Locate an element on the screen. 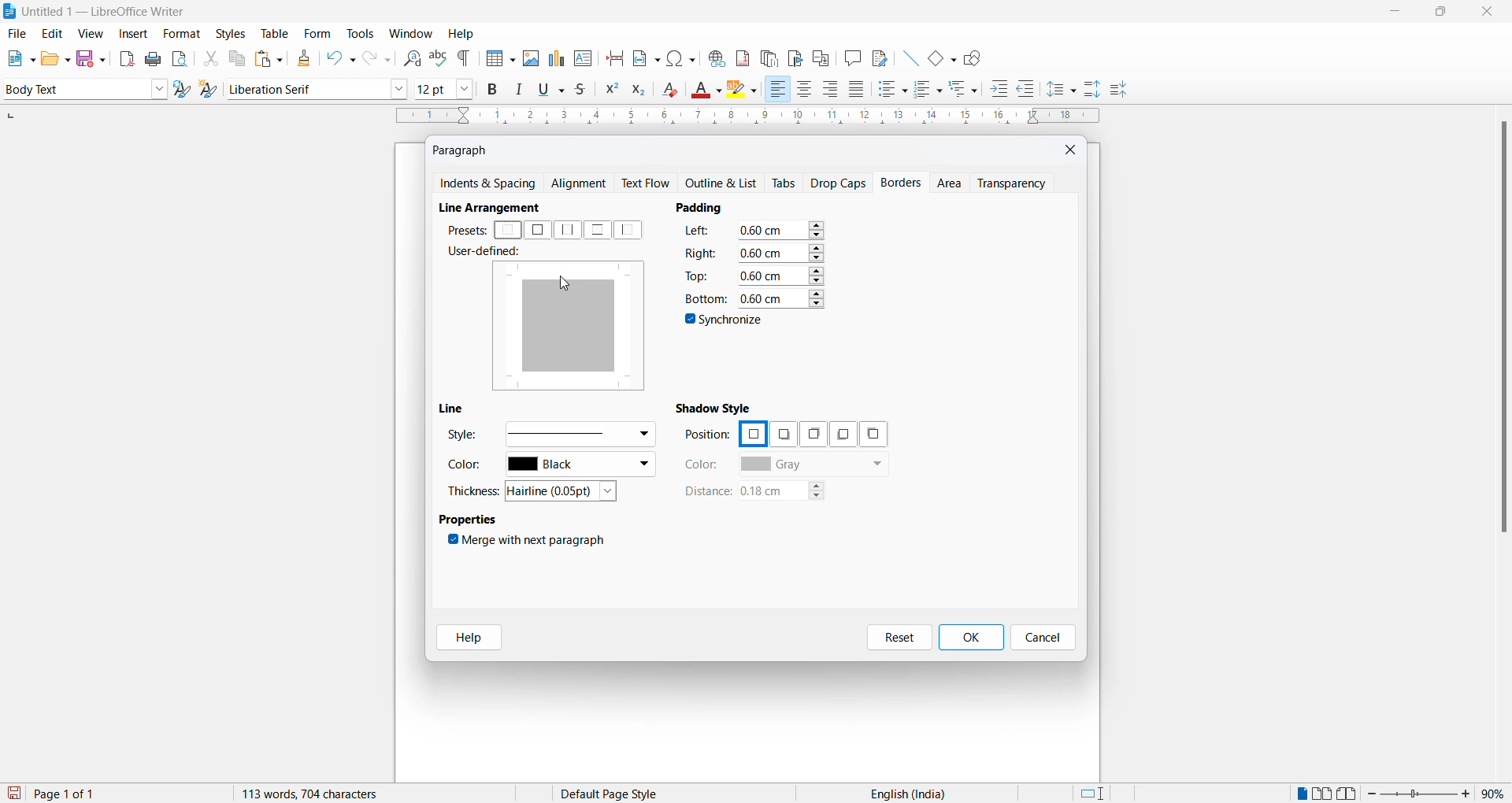 Image resolution: width=1512 pixels, height=803 pixels. insert text is located at coordinates (584, 57).